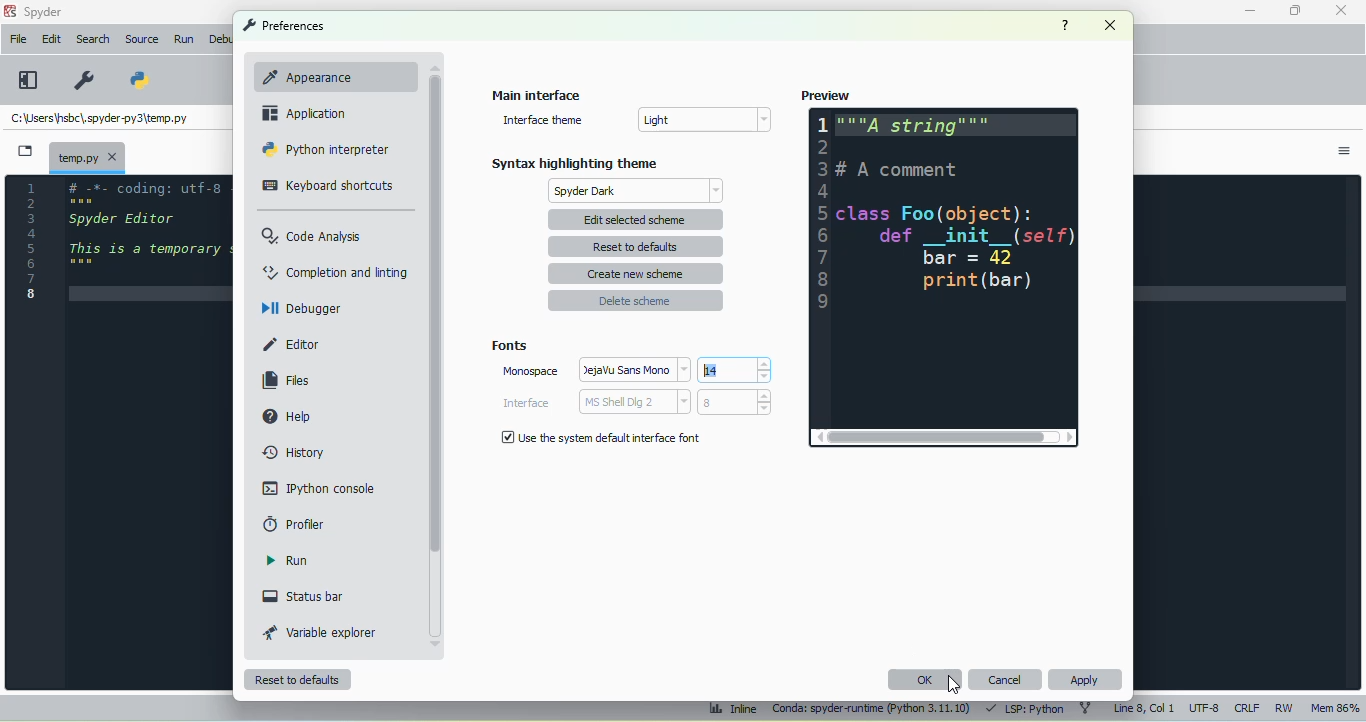  I want to click on interface, so click(526, 403).